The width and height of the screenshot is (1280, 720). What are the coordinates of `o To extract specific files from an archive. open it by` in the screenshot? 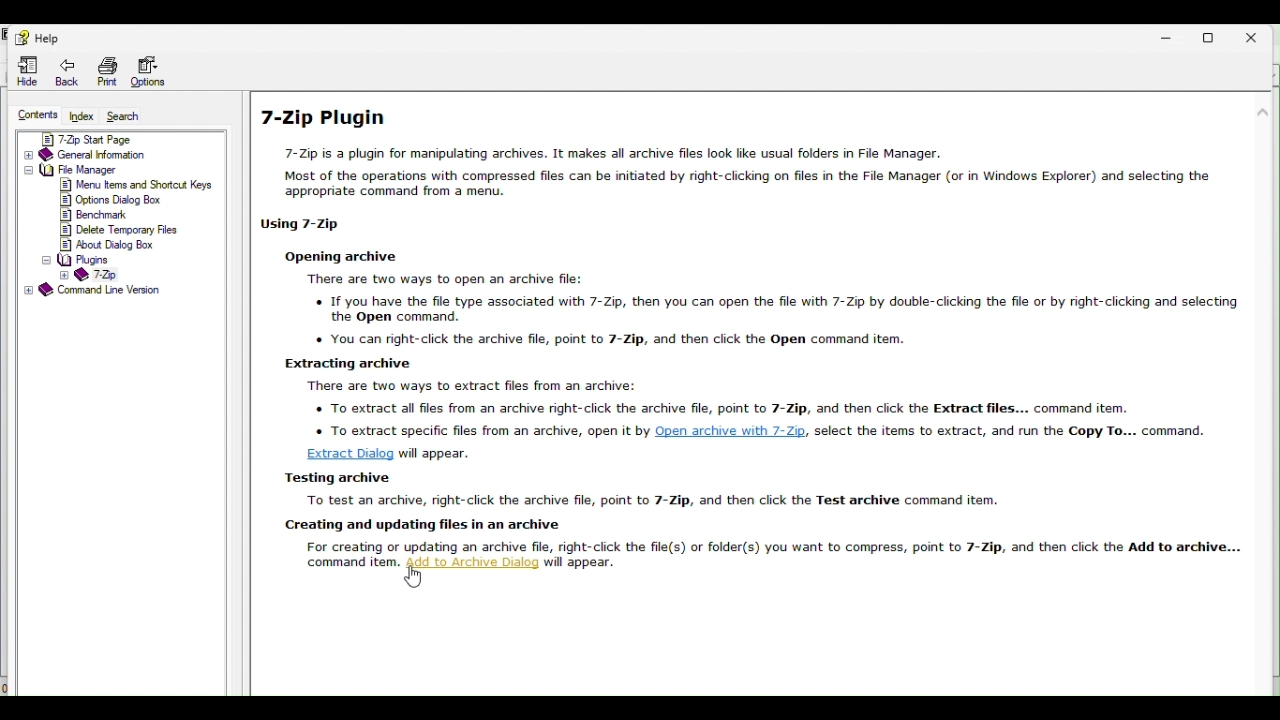 It's located at (478, 428).